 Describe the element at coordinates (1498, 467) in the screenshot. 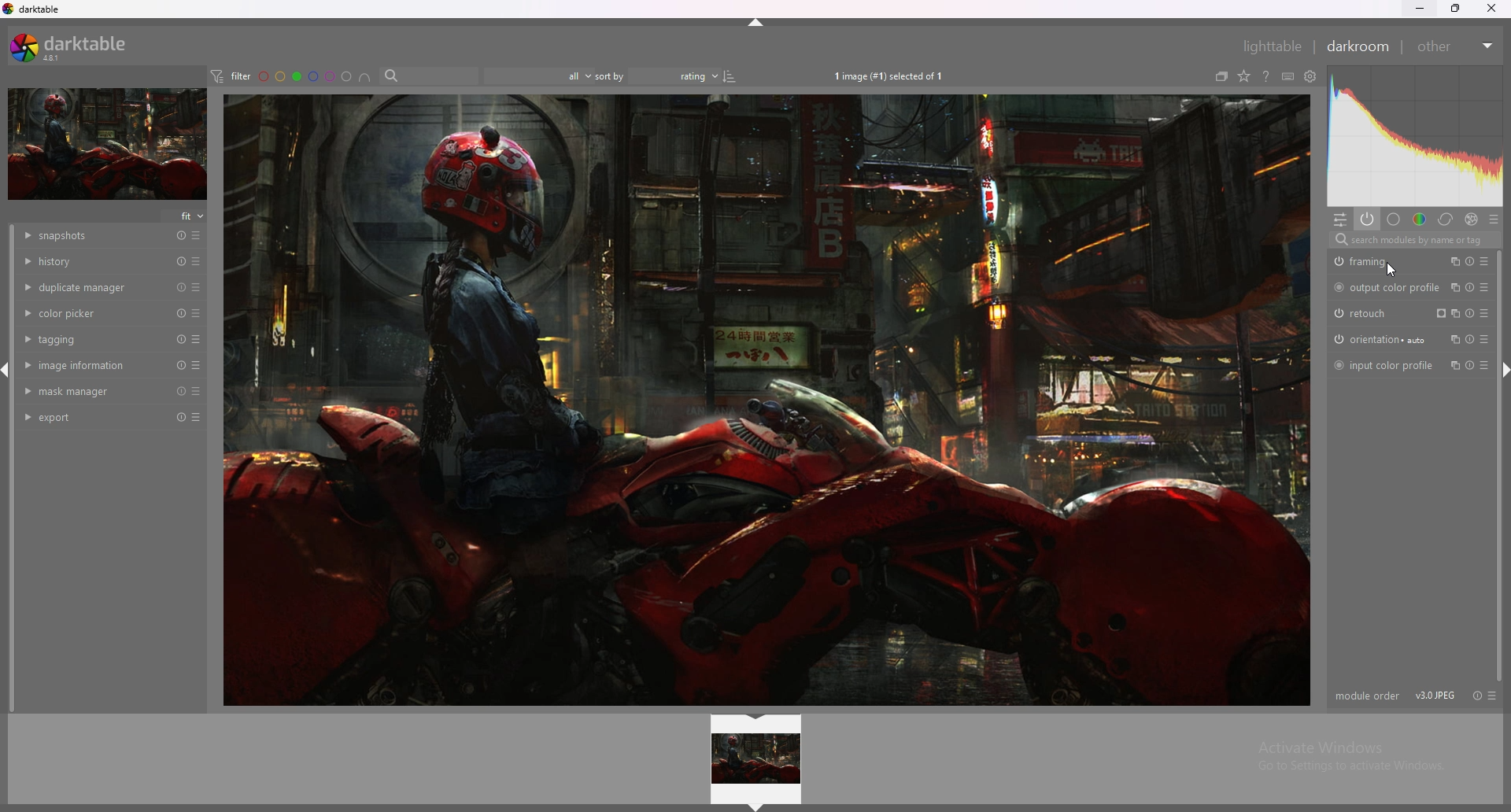

I see `scroll bar` at that location.